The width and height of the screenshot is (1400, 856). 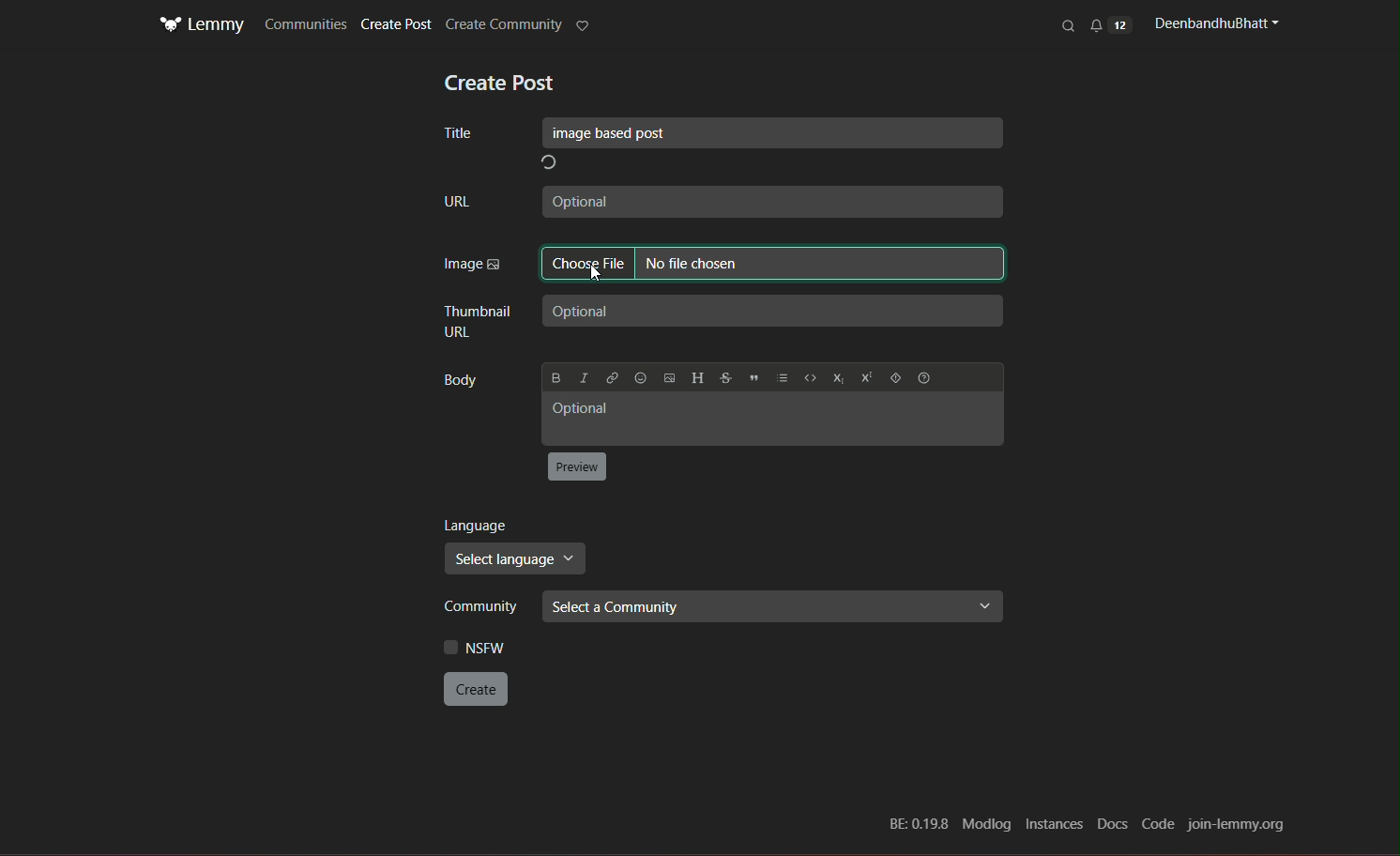 What do you see at coordinates (864, 377) in the screenshot?
I see `superscript` at bounding box center [864, 377].